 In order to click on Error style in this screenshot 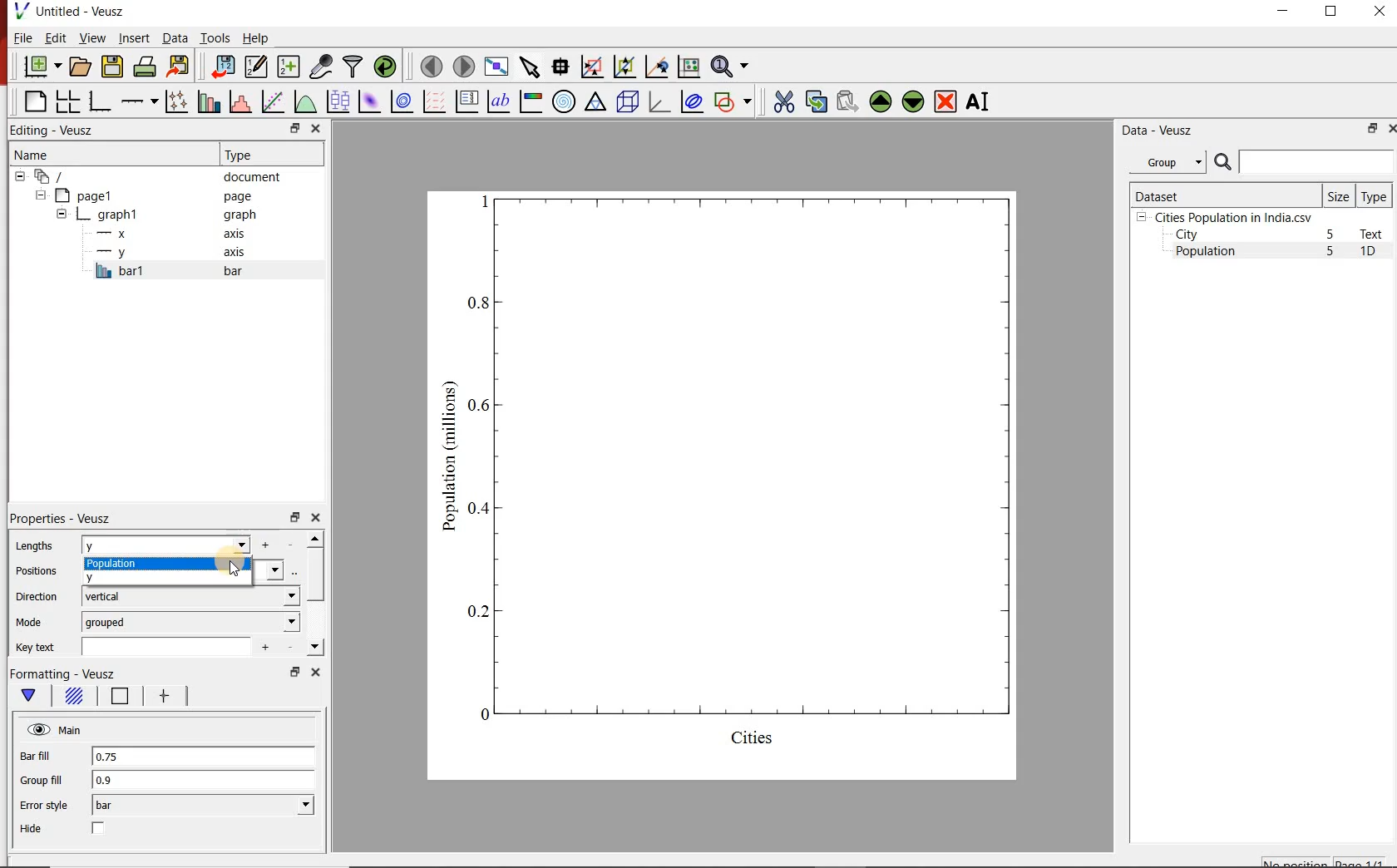, I will do `click(43, 806)`.